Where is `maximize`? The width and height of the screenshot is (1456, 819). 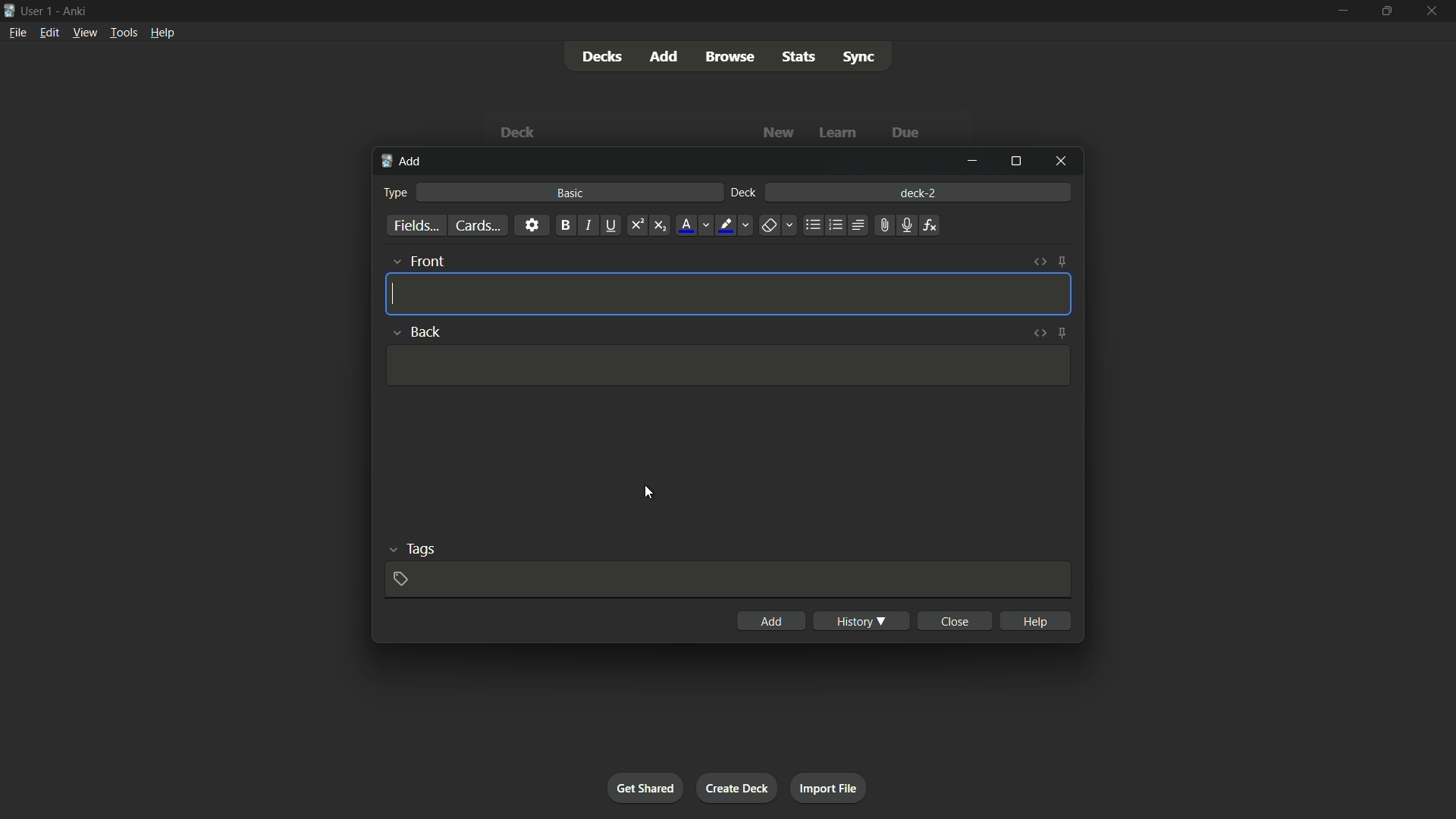
maximize is located at coordinates (1017, 160).